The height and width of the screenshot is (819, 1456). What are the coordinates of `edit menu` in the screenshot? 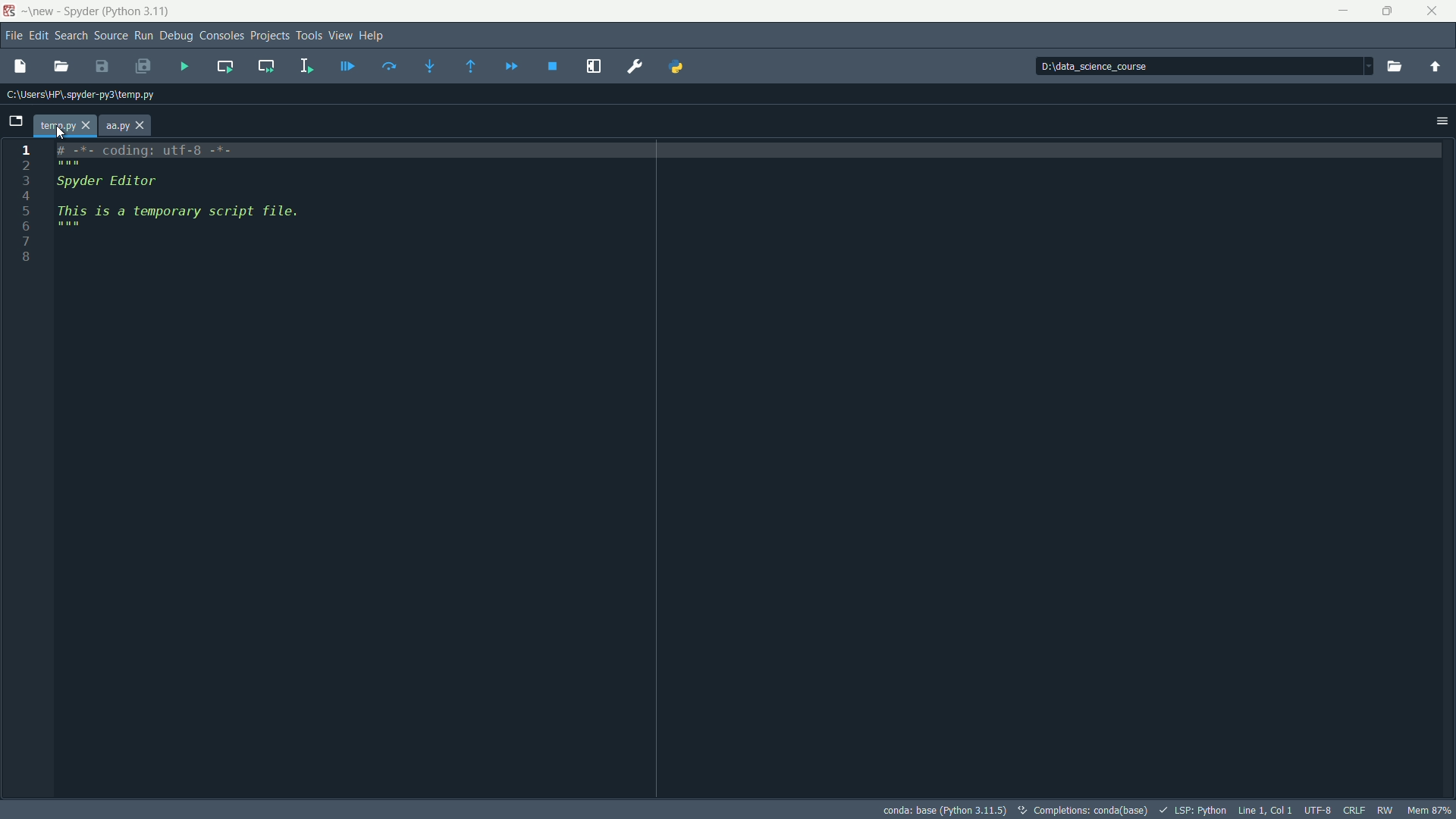 It's located at (39, 35).